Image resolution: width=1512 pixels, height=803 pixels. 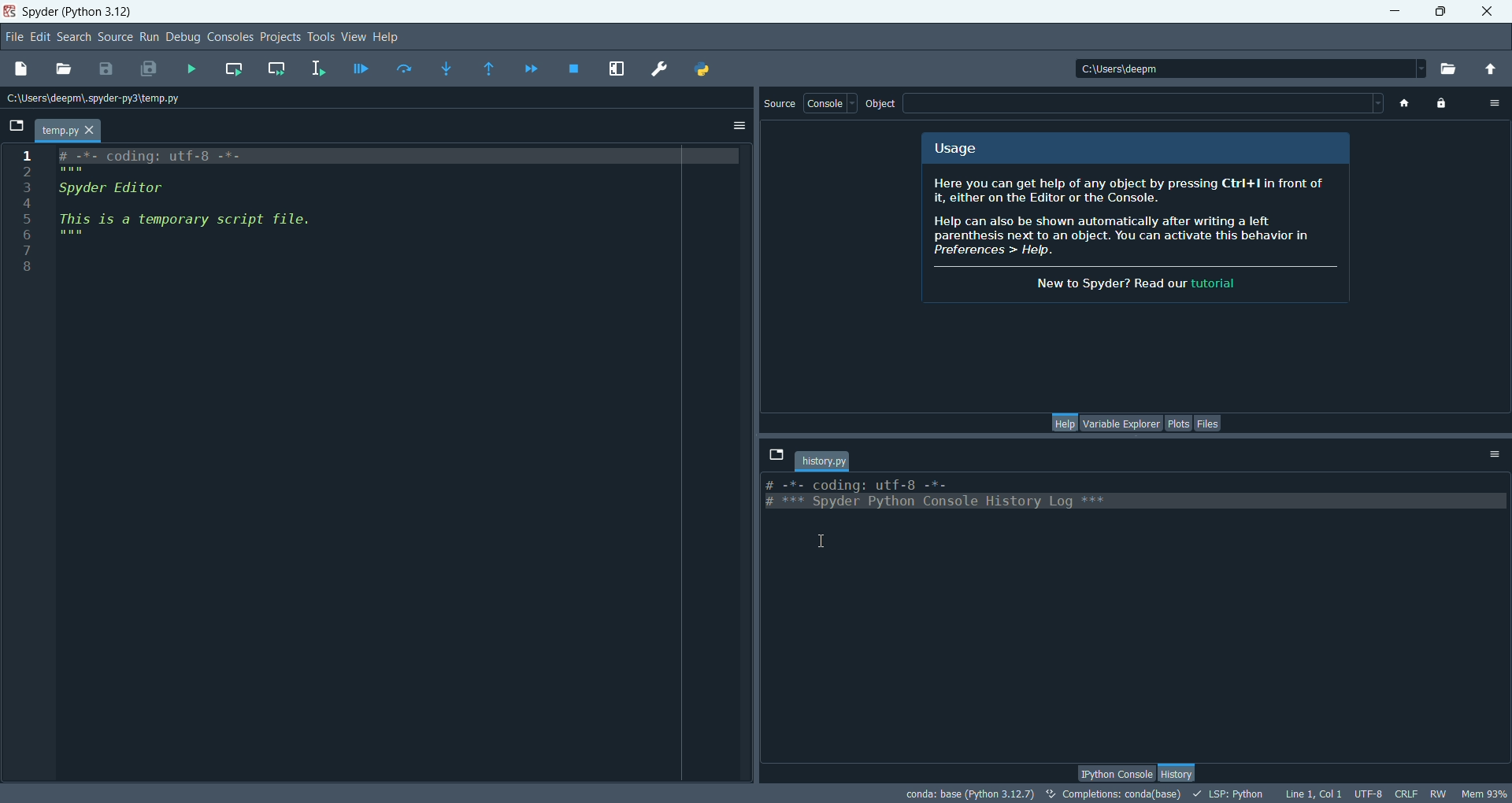 What do you see at coordinates (25, 216) in the screenshot?
I see `line number` at bounding box center [25, 216].